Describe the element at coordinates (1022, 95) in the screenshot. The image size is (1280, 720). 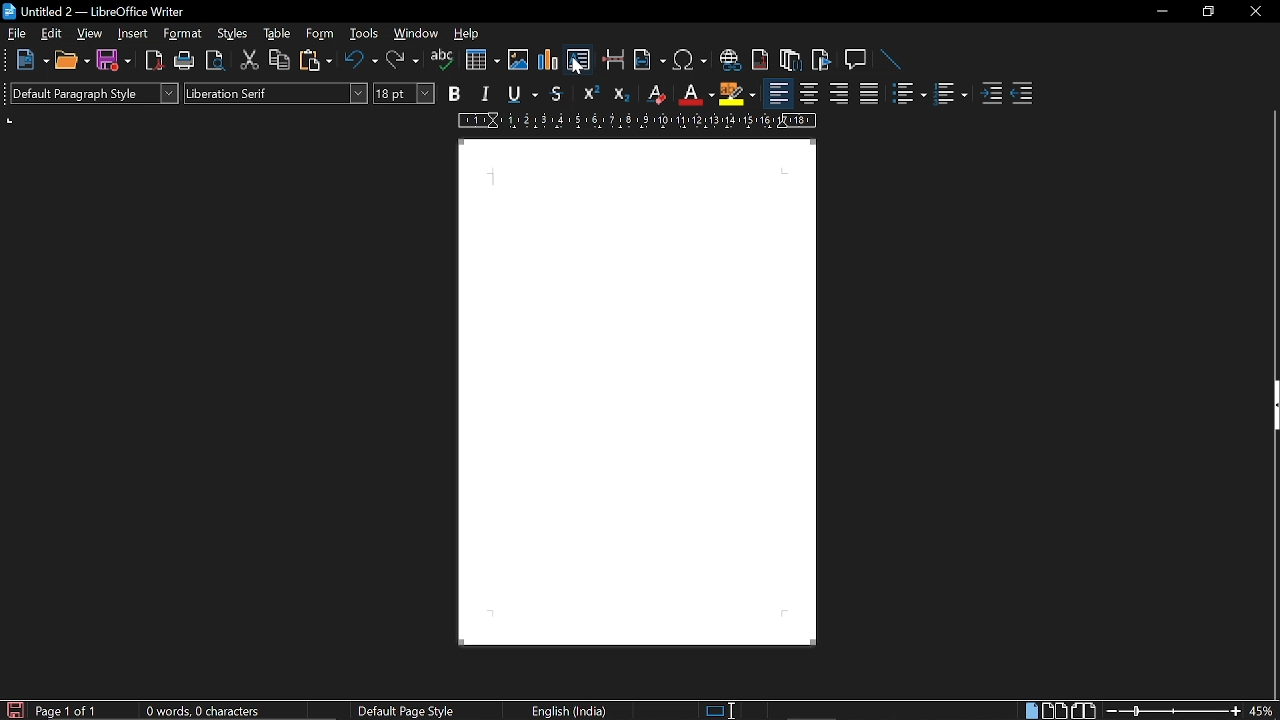
I see `indent right` at that location.